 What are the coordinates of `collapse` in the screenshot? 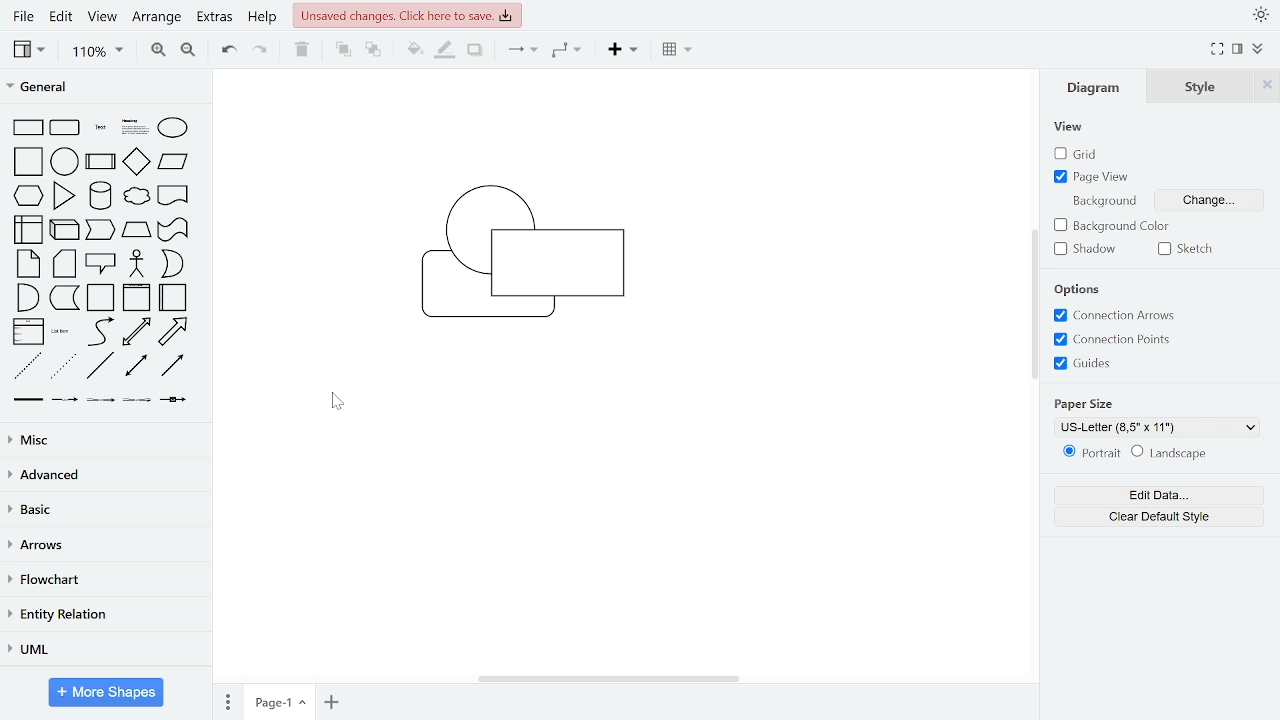 It's located at (1261, 47).